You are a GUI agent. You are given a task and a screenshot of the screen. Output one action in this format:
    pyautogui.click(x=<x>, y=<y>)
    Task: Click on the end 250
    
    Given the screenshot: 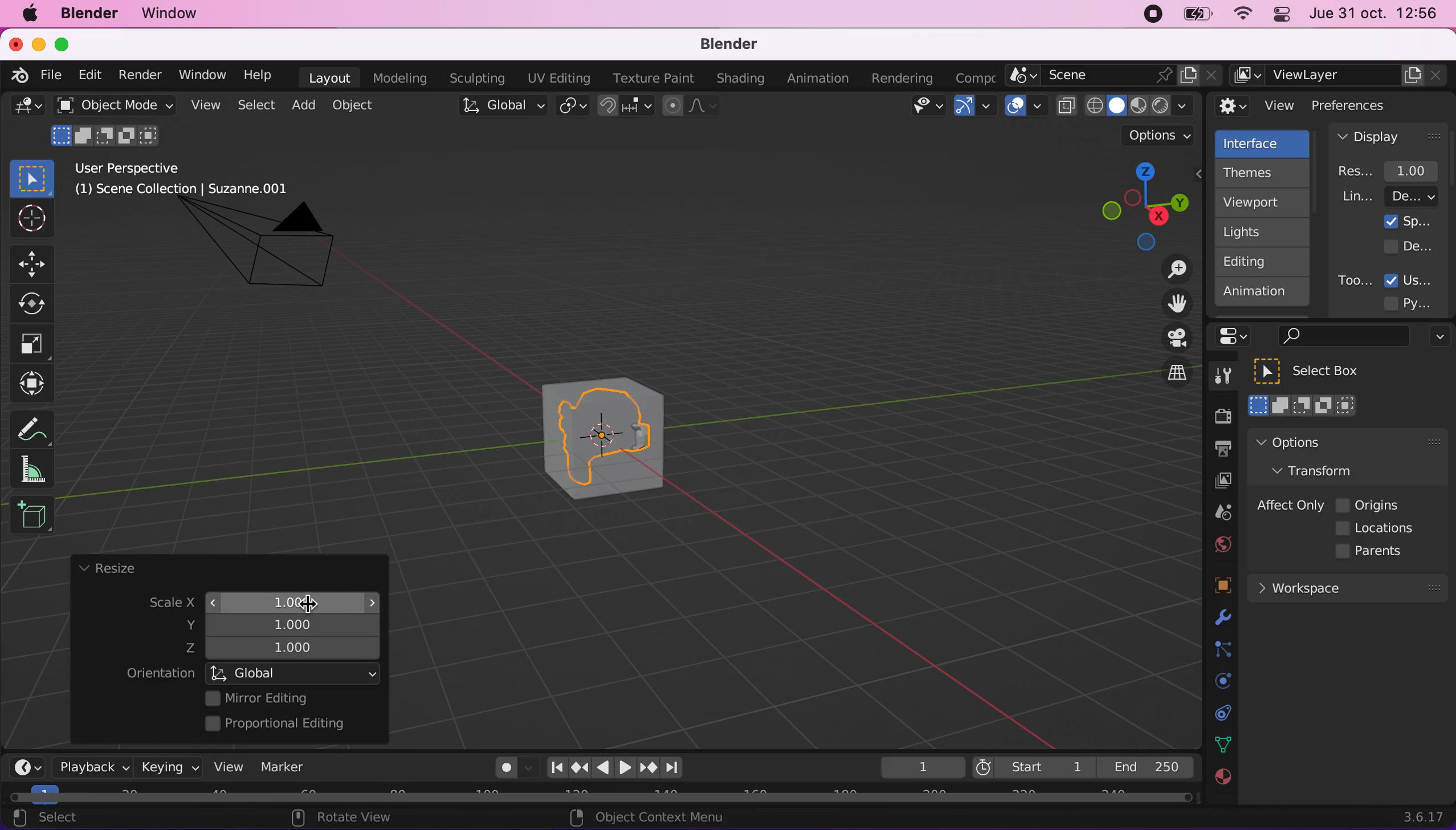 What is the action you would take?
    pyautogui.click(x=1145, y=766)
    